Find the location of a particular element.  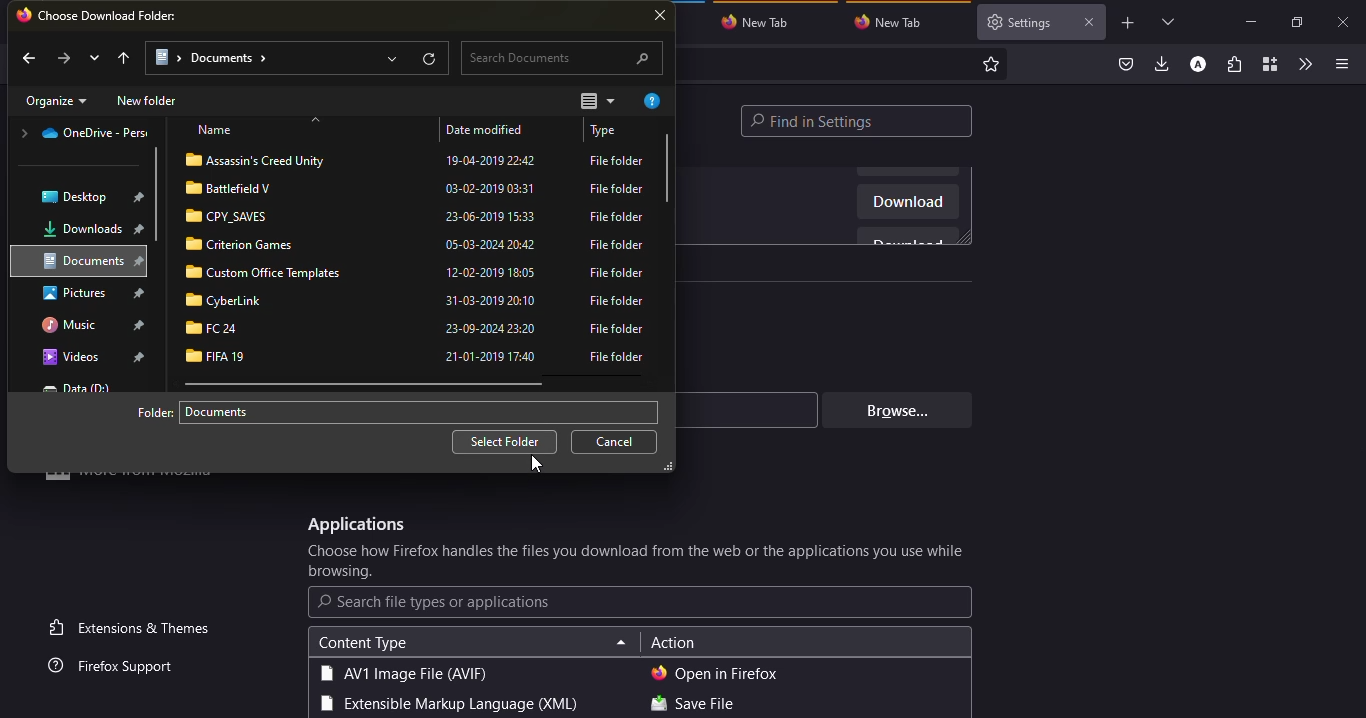

type is located at coordinates (620, 273).